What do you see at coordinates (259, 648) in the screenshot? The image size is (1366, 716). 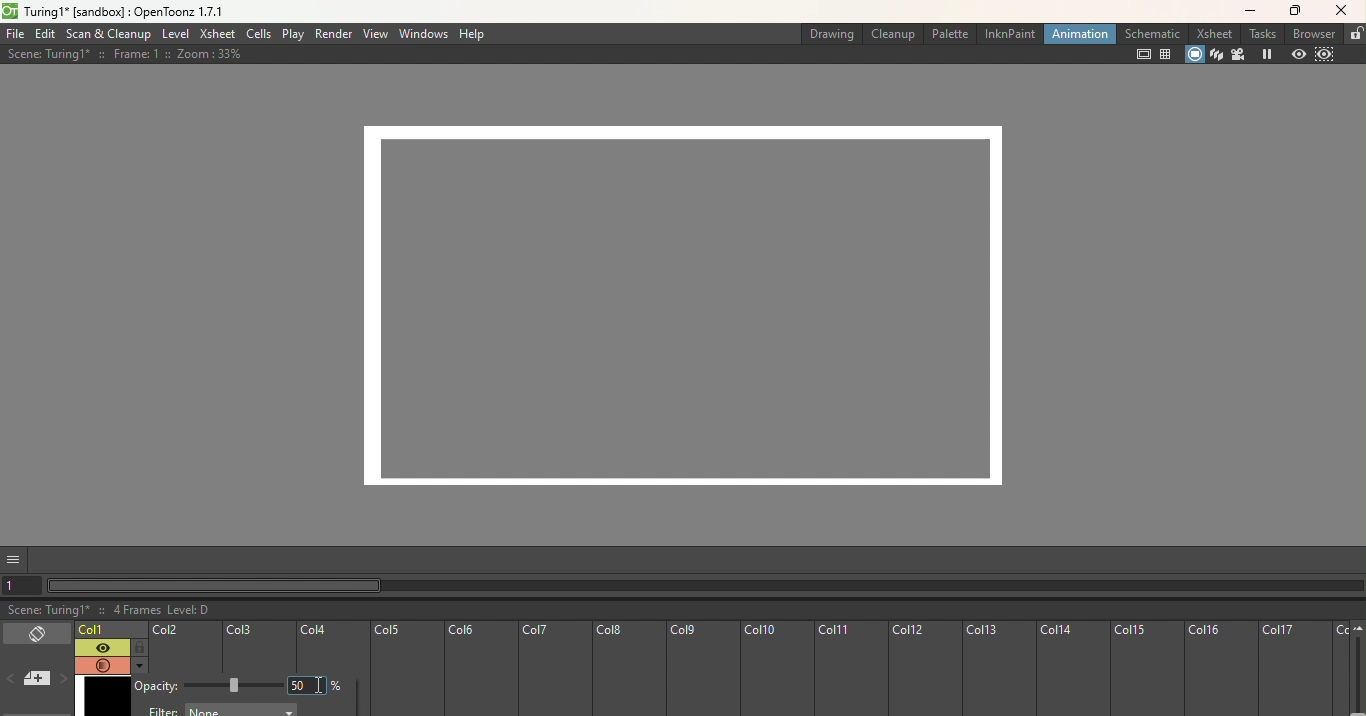 I see `Col3` at bounding box center [259, 648].